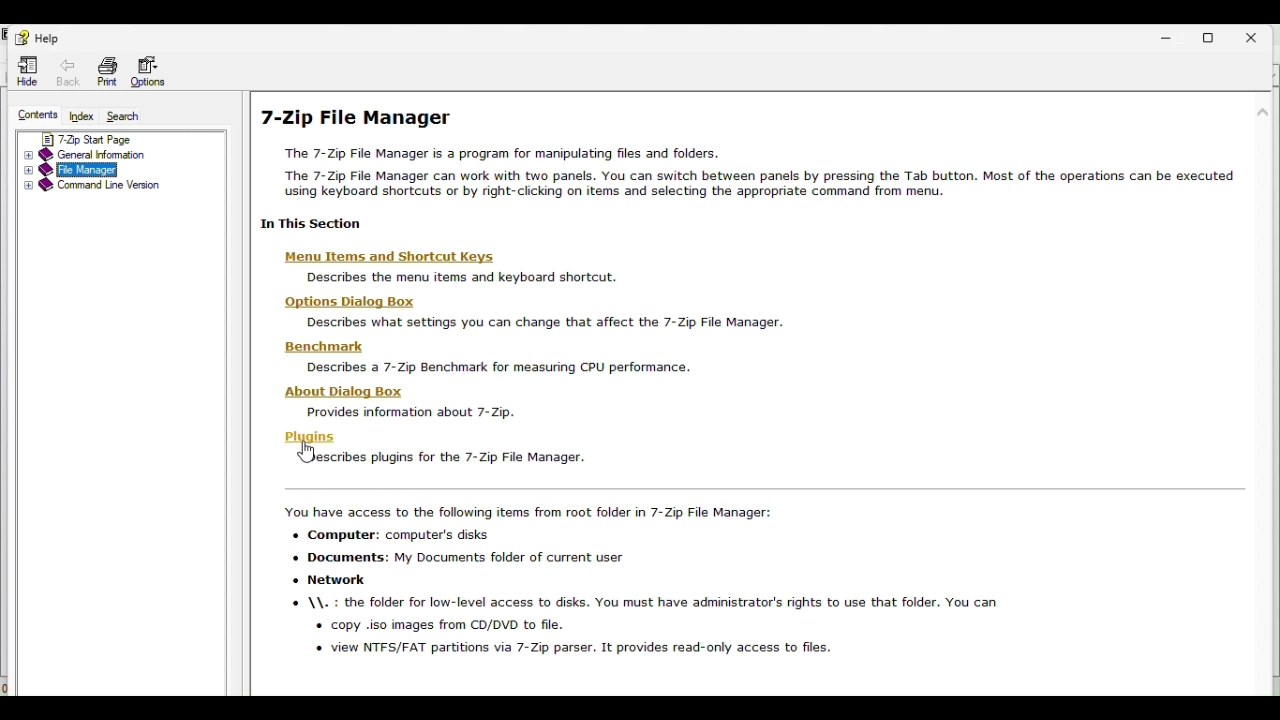  I want to click on You have access to the following items from root folder in 7-Zip File Manager:
+ Computer: computer's disks
«+ Documents: My Documents folder of current user
« Network
 \\. : the folder for low-level access to disks. You must have administrator's rights to use that folder. You can
« copy .iso images from CD/DVD to file.
o view NTFS/FAT partitions via 7-Zip parser. It provides read-only access to files., so click(634, 578).